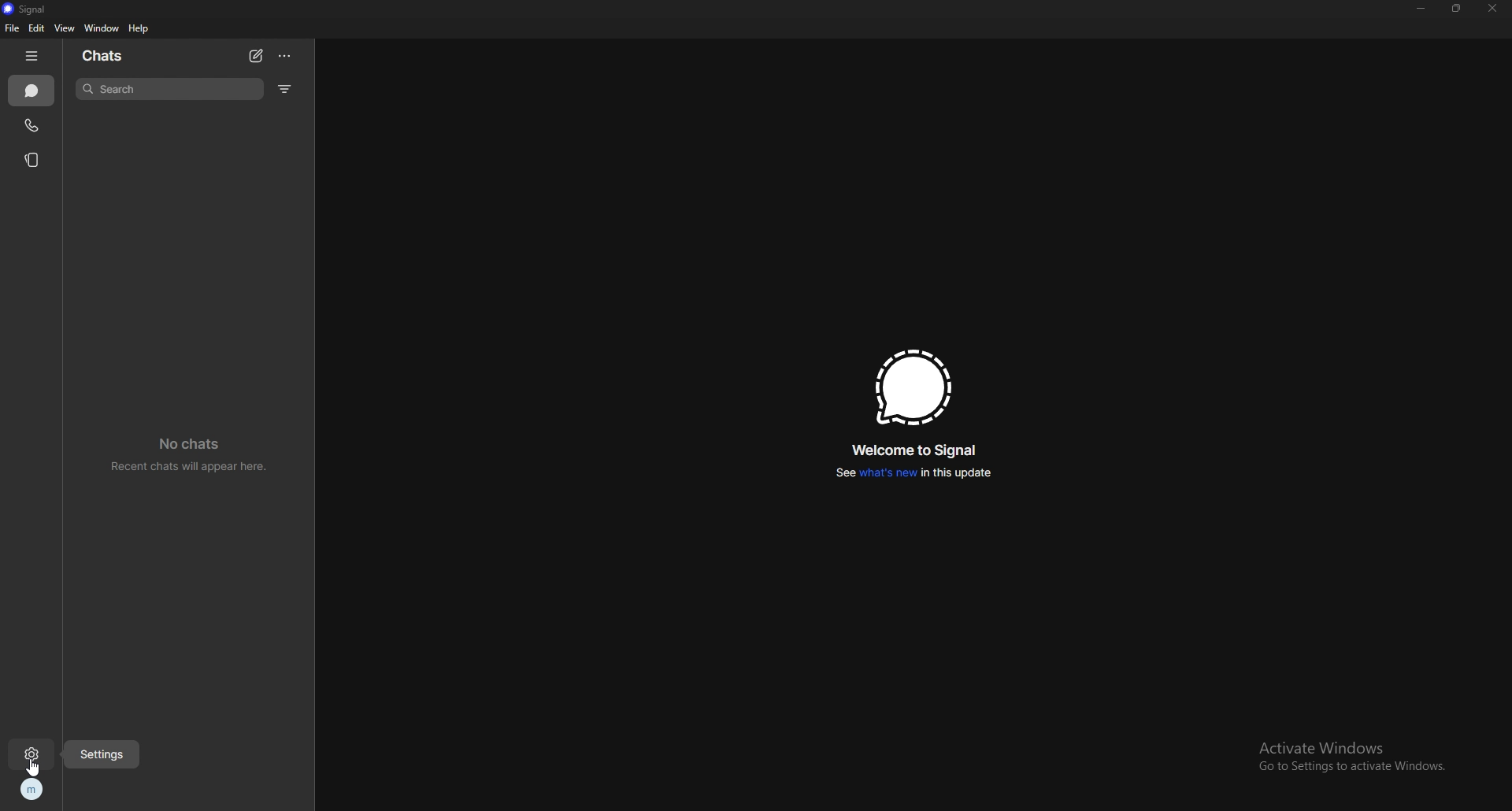 The height and width of the screenshot is (811, 1512). I want to click on search, so click(172, 88).